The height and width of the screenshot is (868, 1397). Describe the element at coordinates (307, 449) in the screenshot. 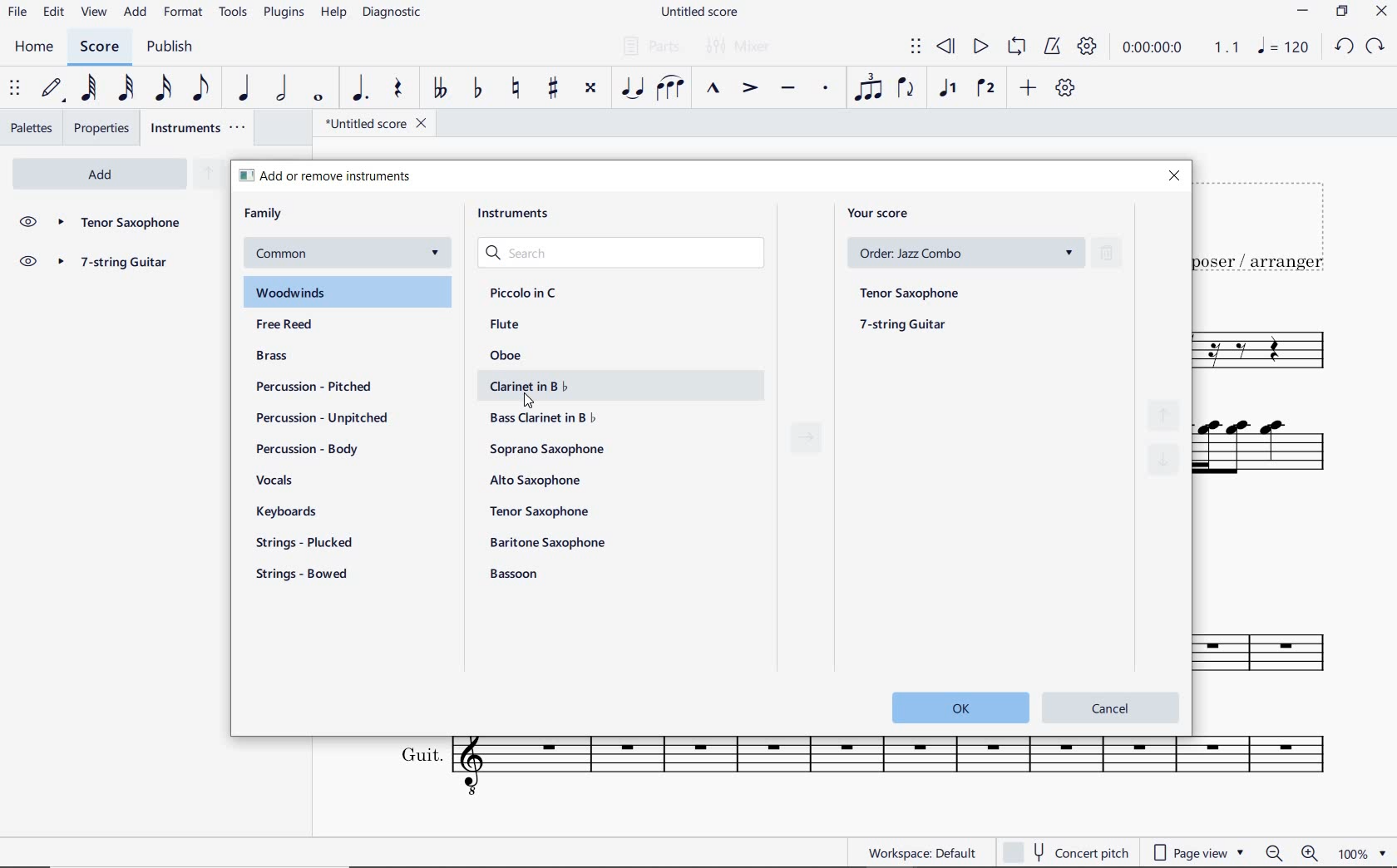

I see `percussion - body` at that location.